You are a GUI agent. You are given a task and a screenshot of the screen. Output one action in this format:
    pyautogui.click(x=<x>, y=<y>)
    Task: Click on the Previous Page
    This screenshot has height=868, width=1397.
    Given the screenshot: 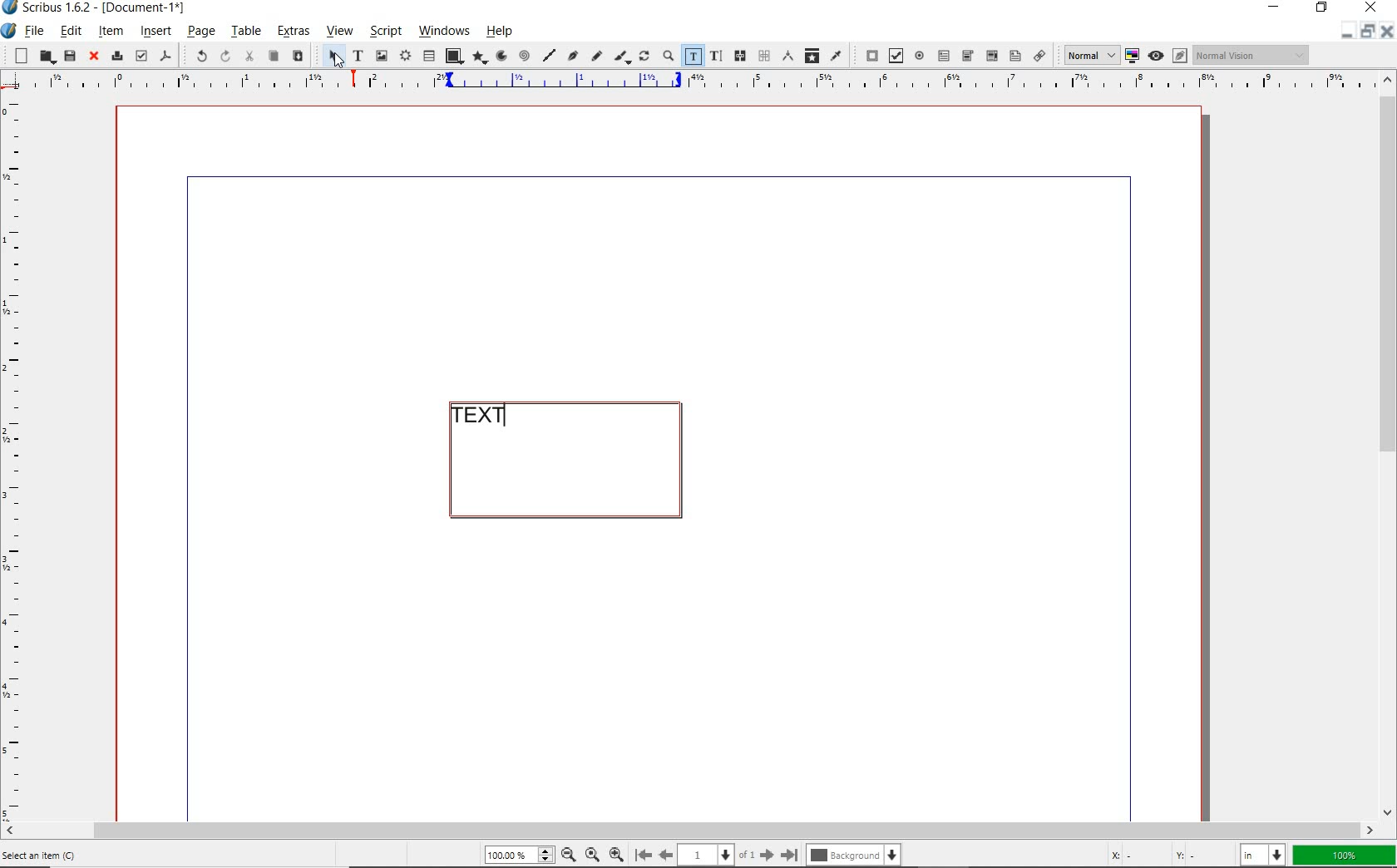 What is the action you would take?
    pyautogui.click(x=667, y=856)
    